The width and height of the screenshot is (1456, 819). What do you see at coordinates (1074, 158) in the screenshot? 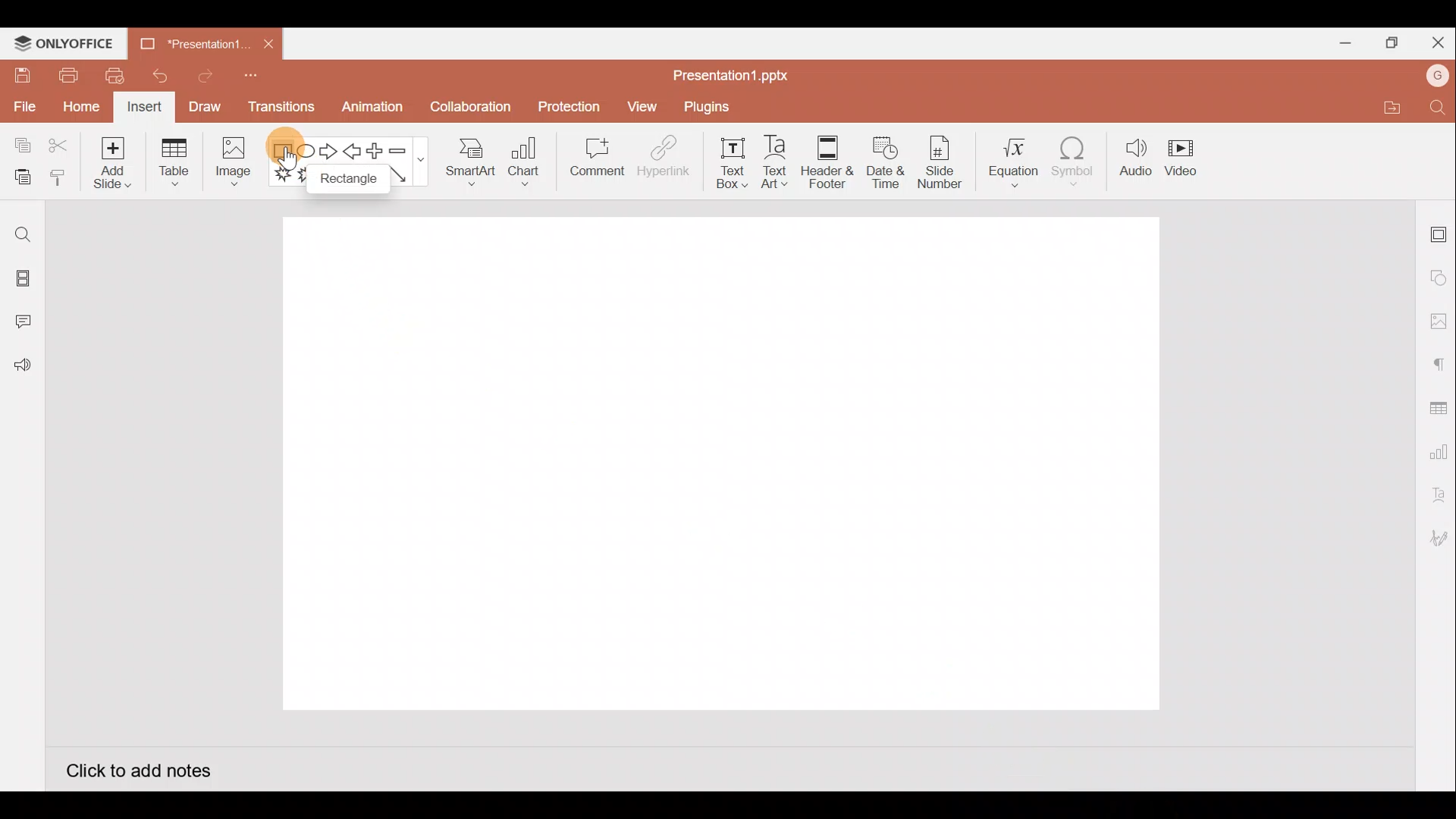
I see `Symbol` at bounding box center [1074, 158].